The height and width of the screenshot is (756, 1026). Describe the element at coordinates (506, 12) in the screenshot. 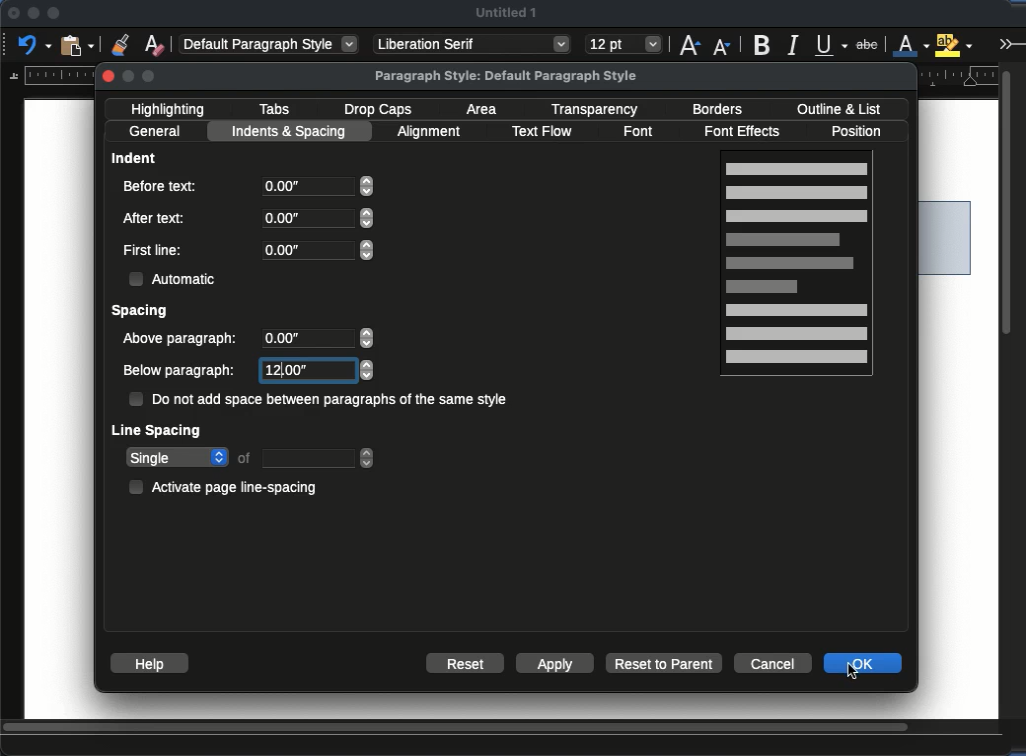

I see `untitled 1` at that location.